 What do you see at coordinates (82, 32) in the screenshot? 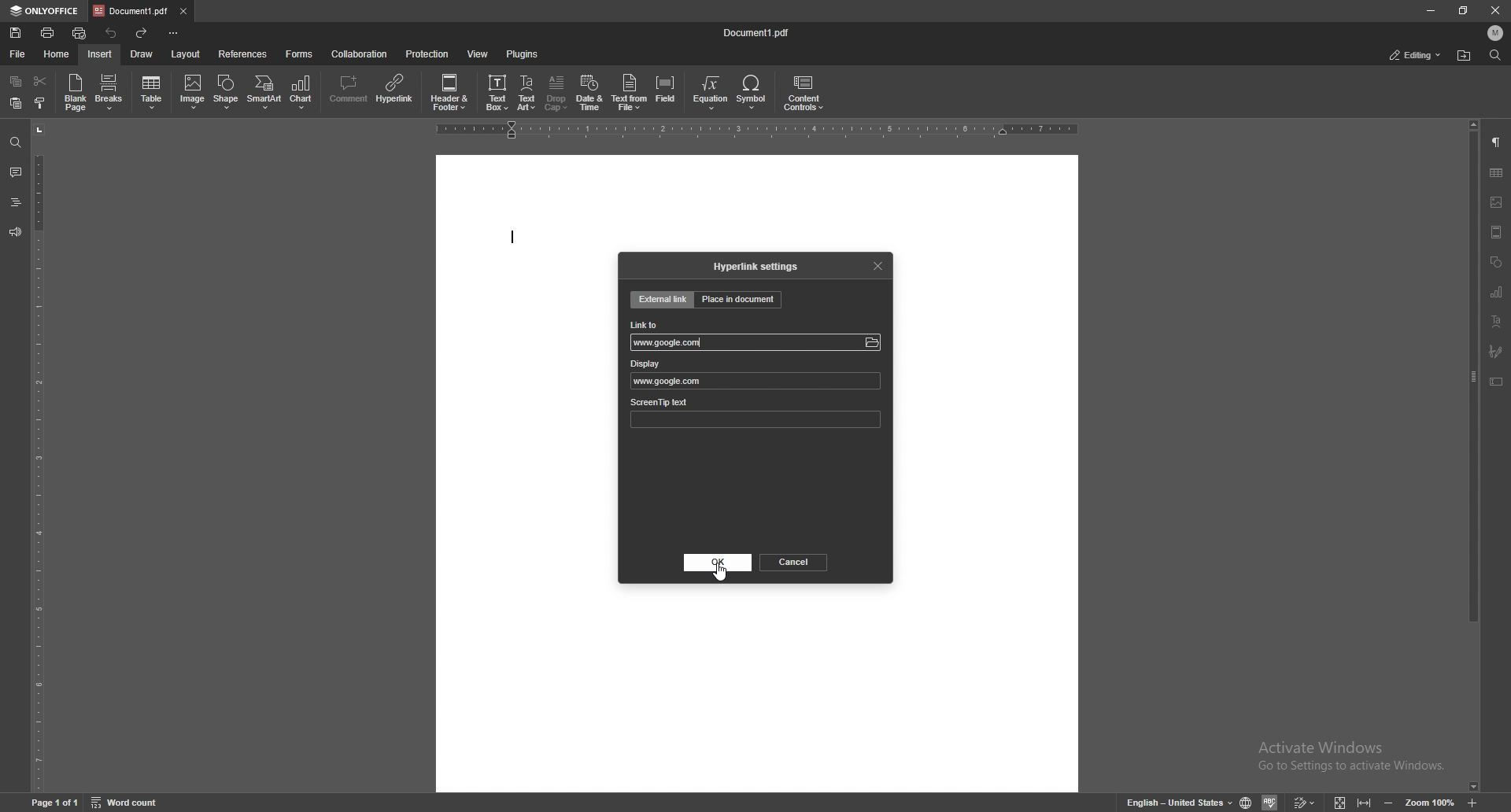
I see `quick print` at bounding box center [82, 32].